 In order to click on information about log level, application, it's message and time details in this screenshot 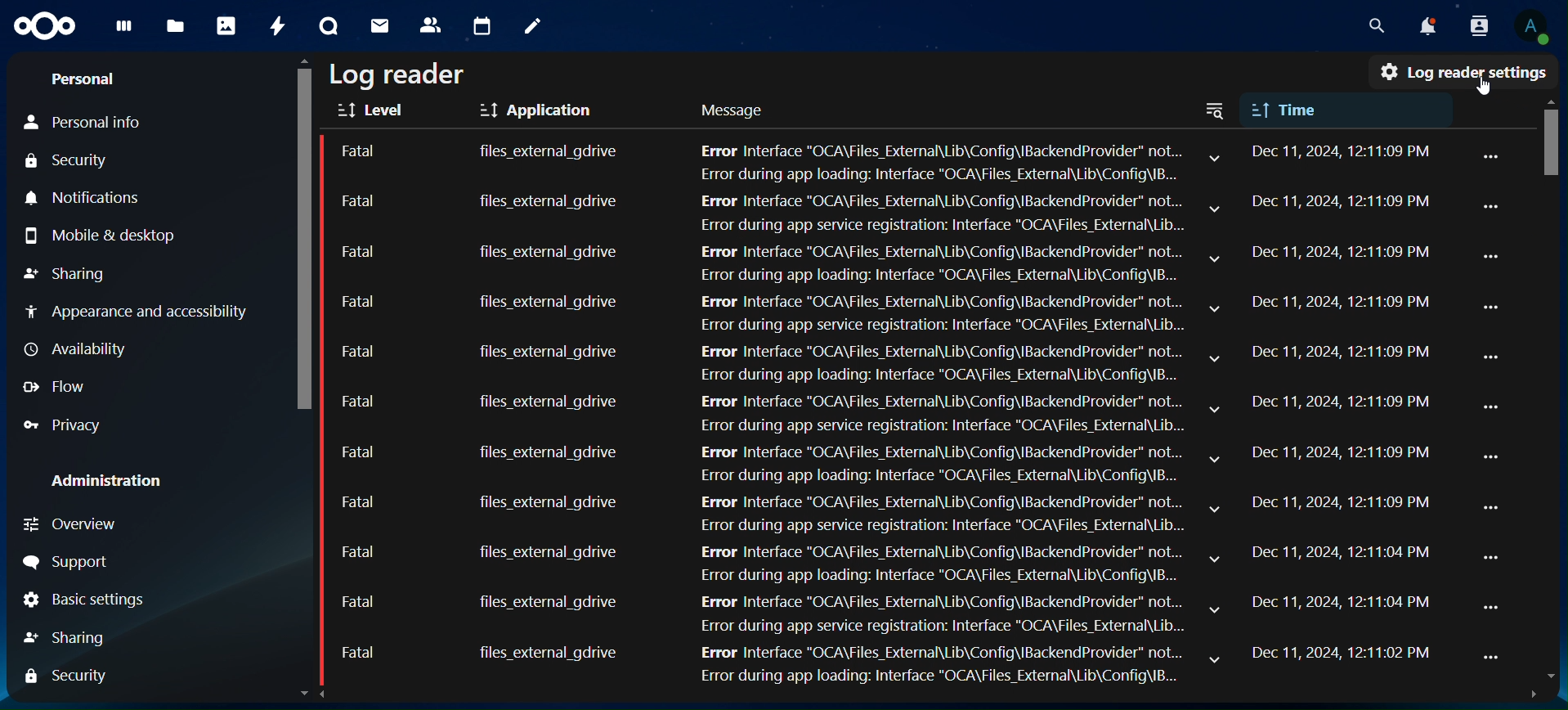, I will do `click(896, 409)`.